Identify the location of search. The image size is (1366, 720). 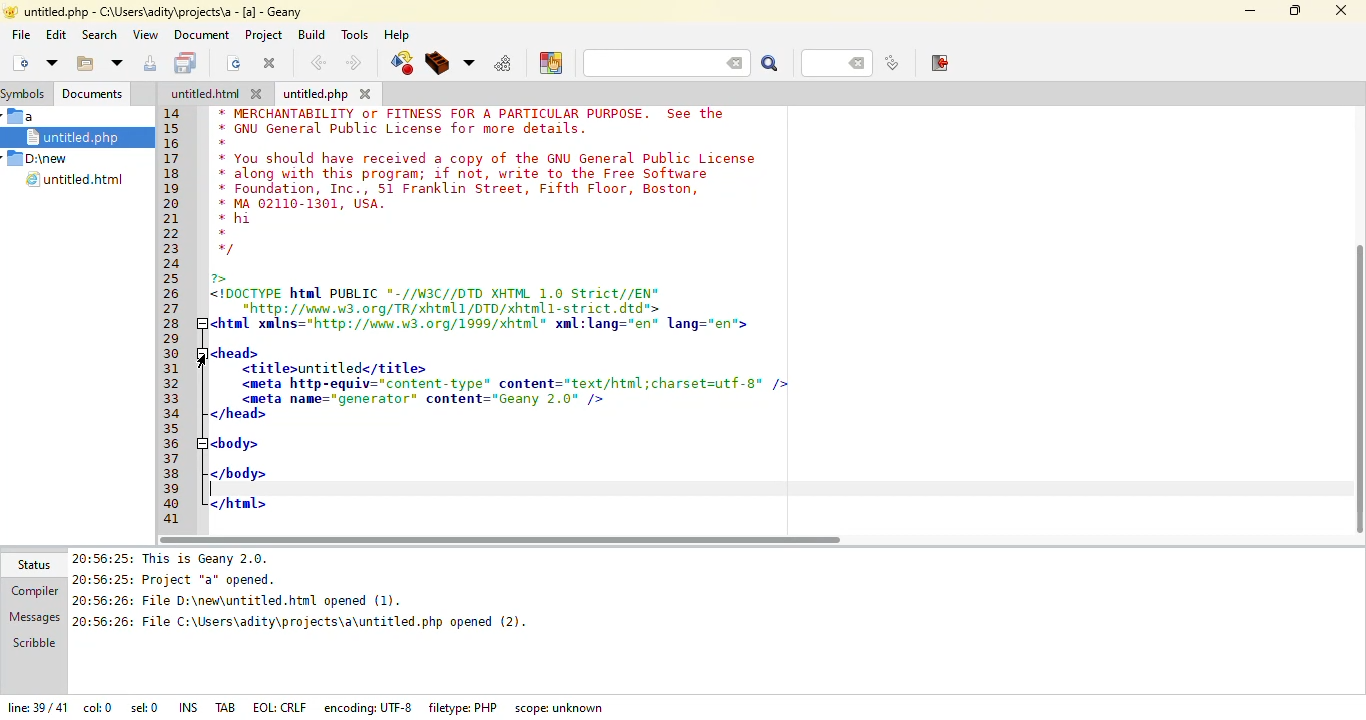
(101, 36).